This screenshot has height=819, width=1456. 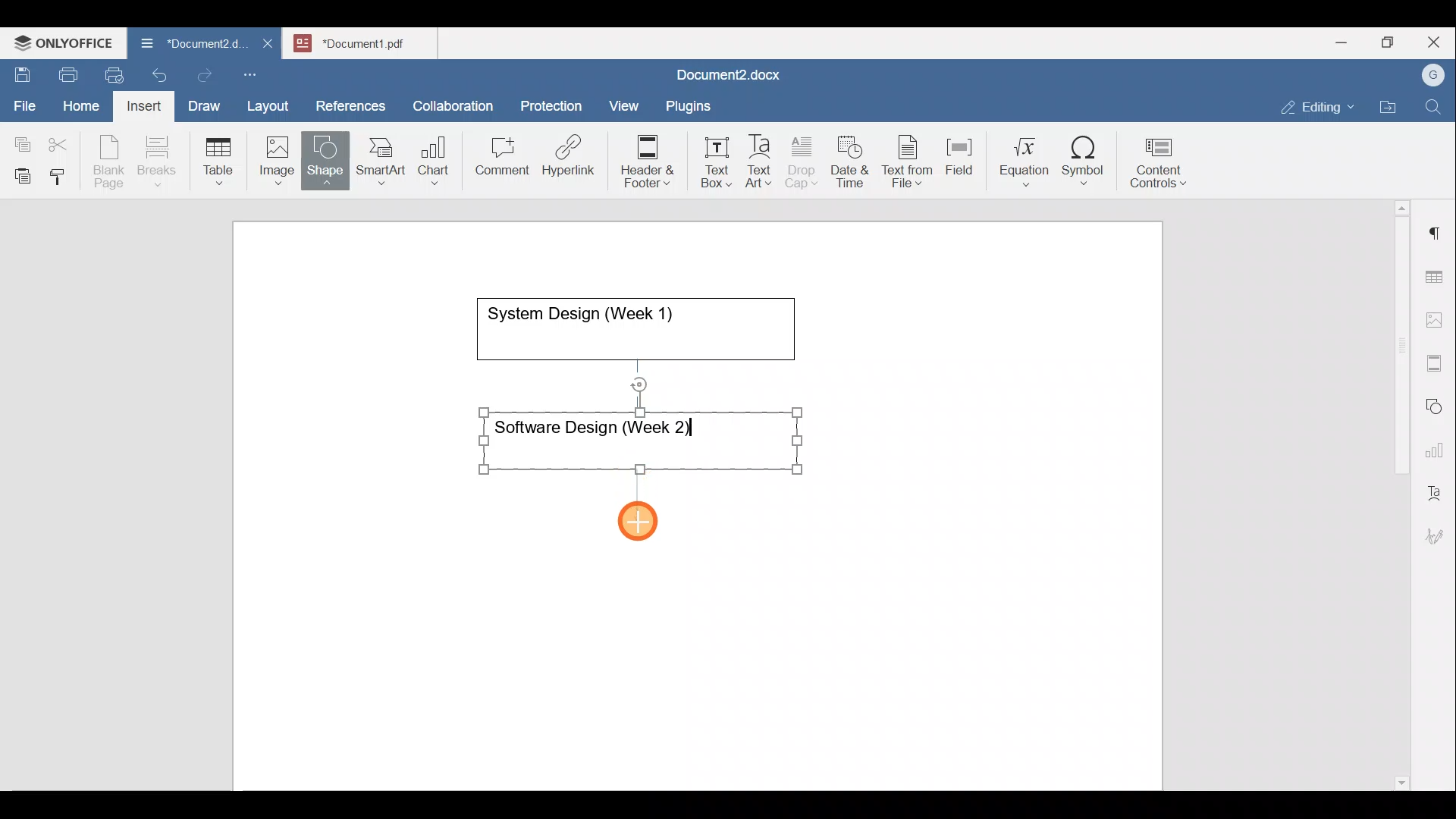 I want to click on Close, so click(x=1436, y=43).